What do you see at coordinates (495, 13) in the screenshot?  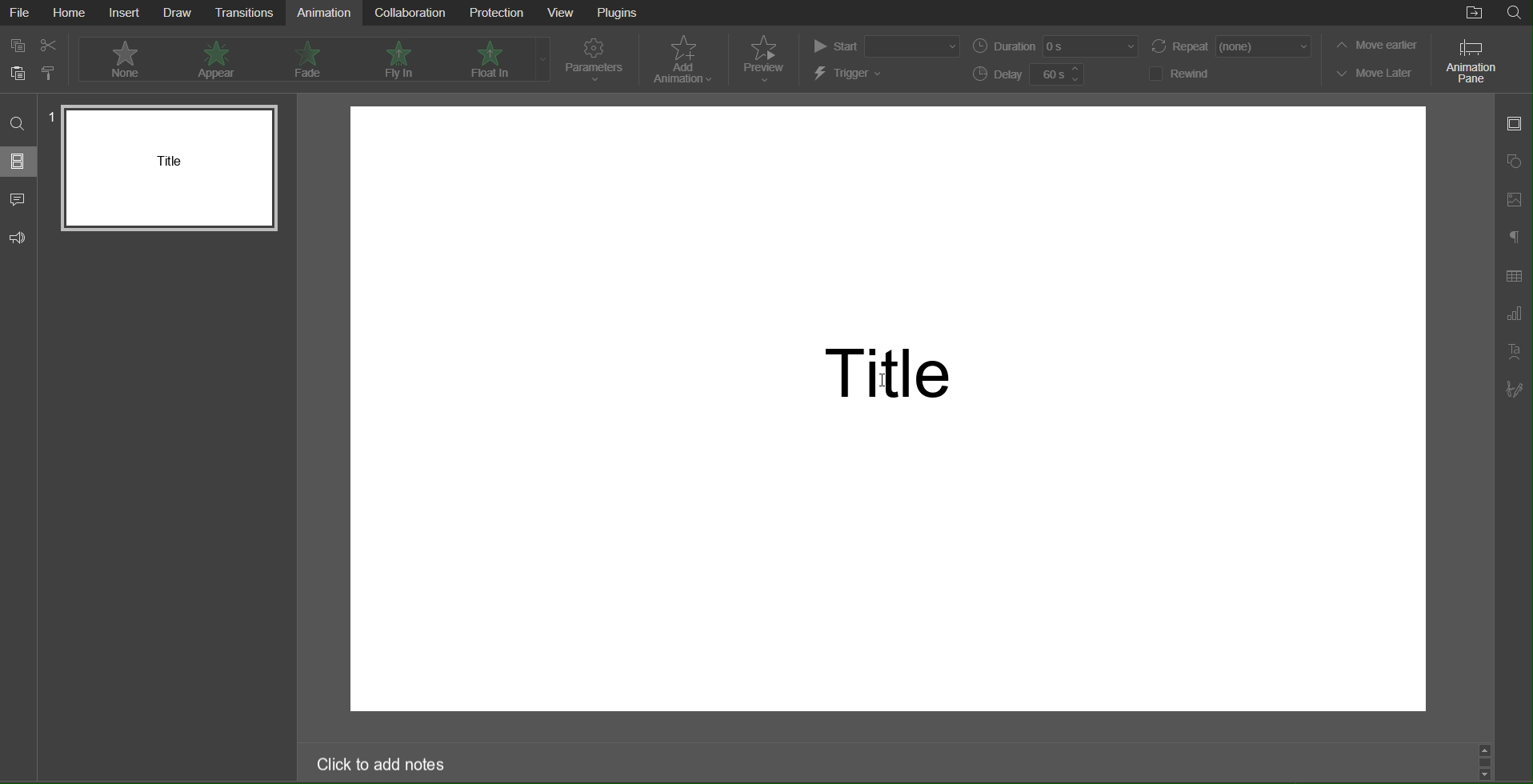 I see `Protection` at bounding box center [495, 13].